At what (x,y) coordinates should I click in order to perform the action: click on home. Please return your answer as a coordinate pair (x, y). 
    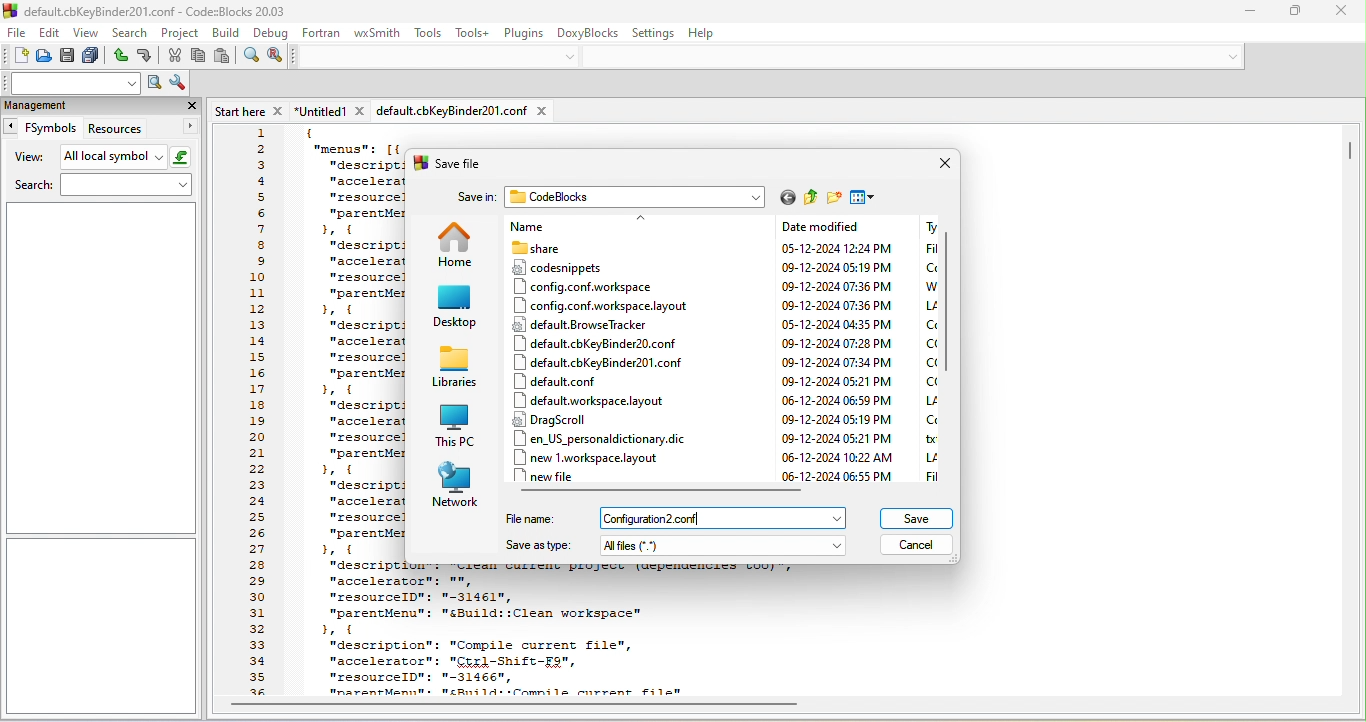
    Looking at the image, I should click on (457, 245).